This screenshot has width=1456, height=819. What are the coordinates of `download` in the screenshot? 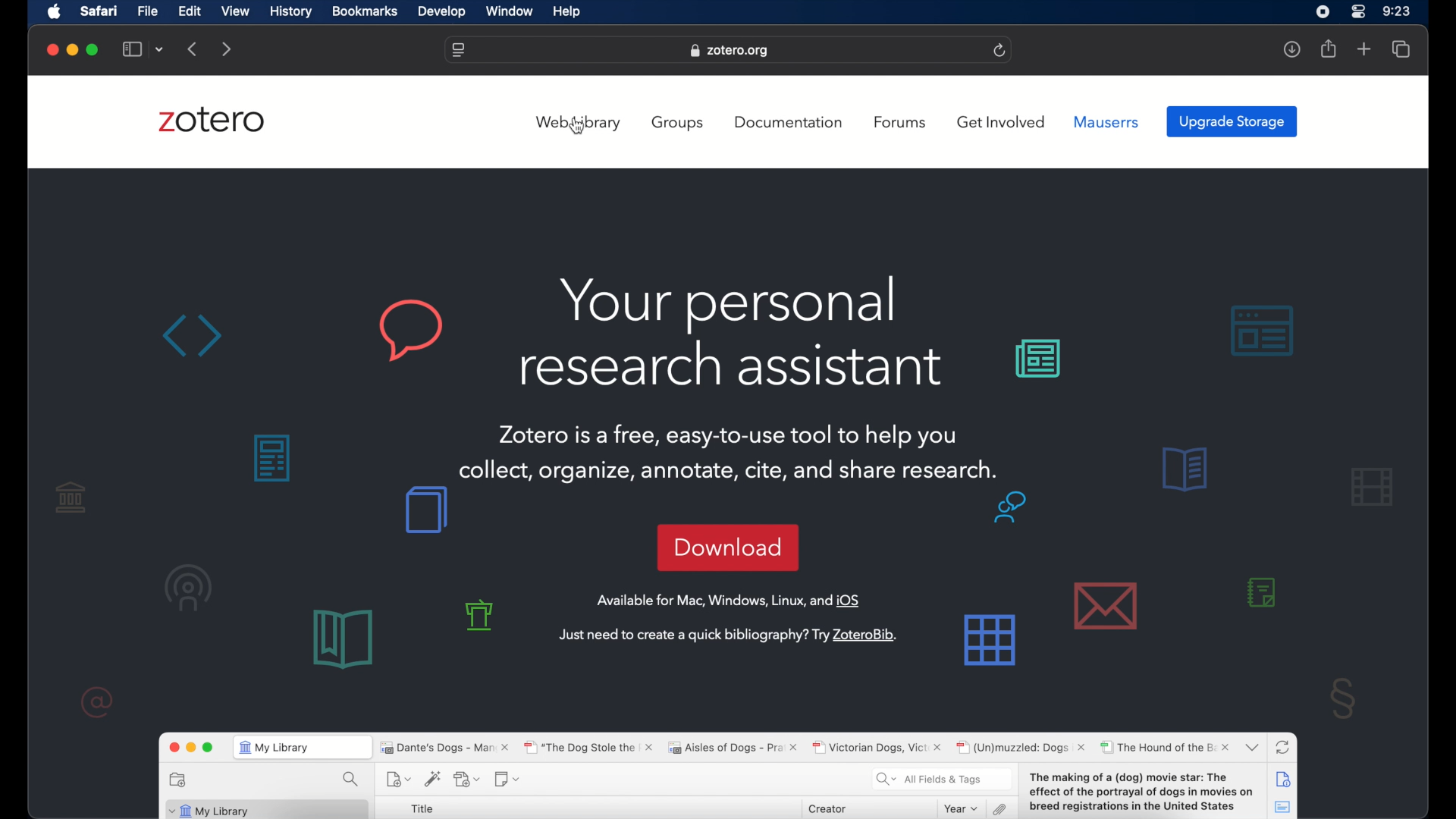 It's located at (727, 548).